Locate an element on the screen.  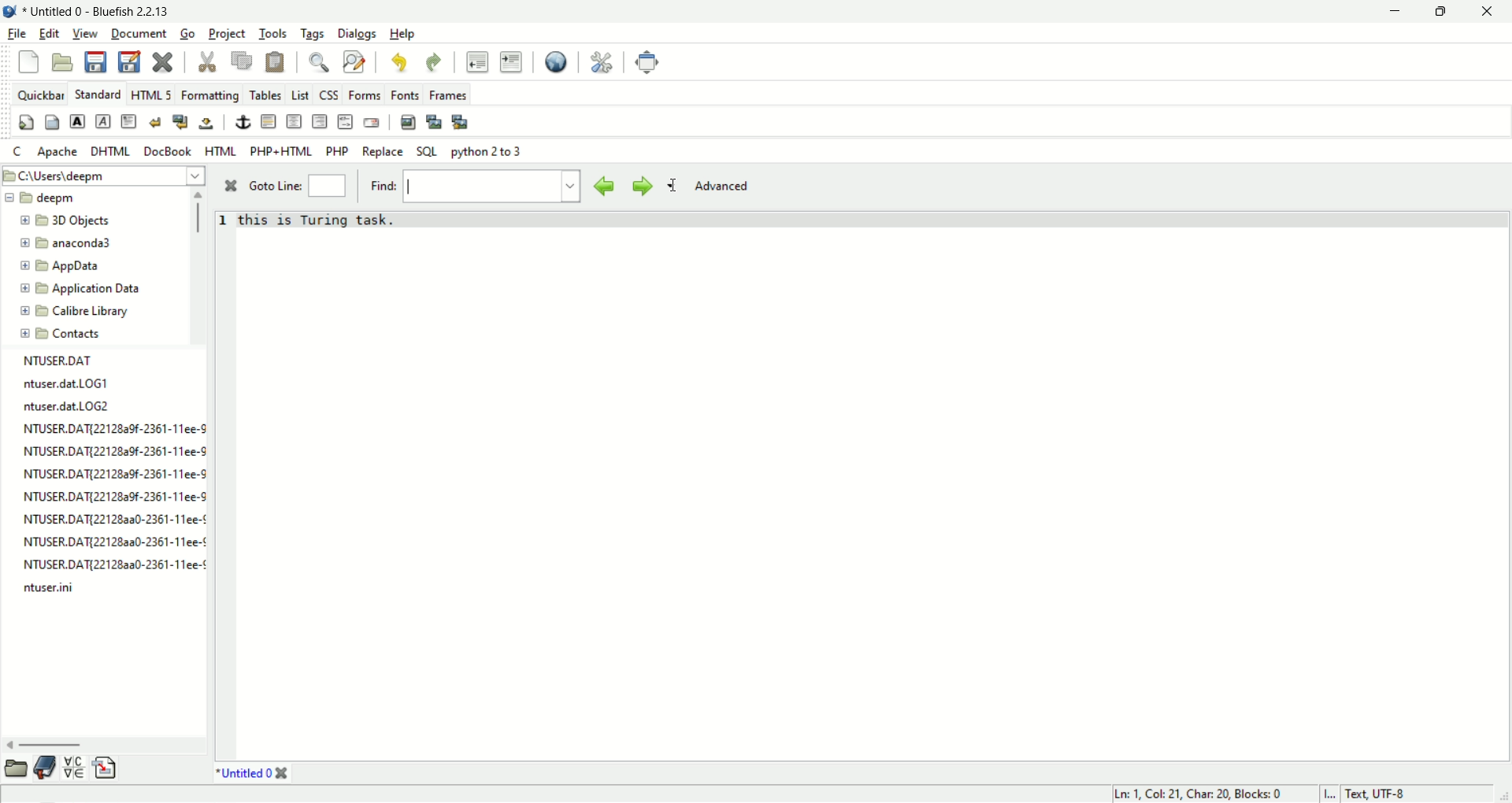
text field is located at coordinates (484, 187).